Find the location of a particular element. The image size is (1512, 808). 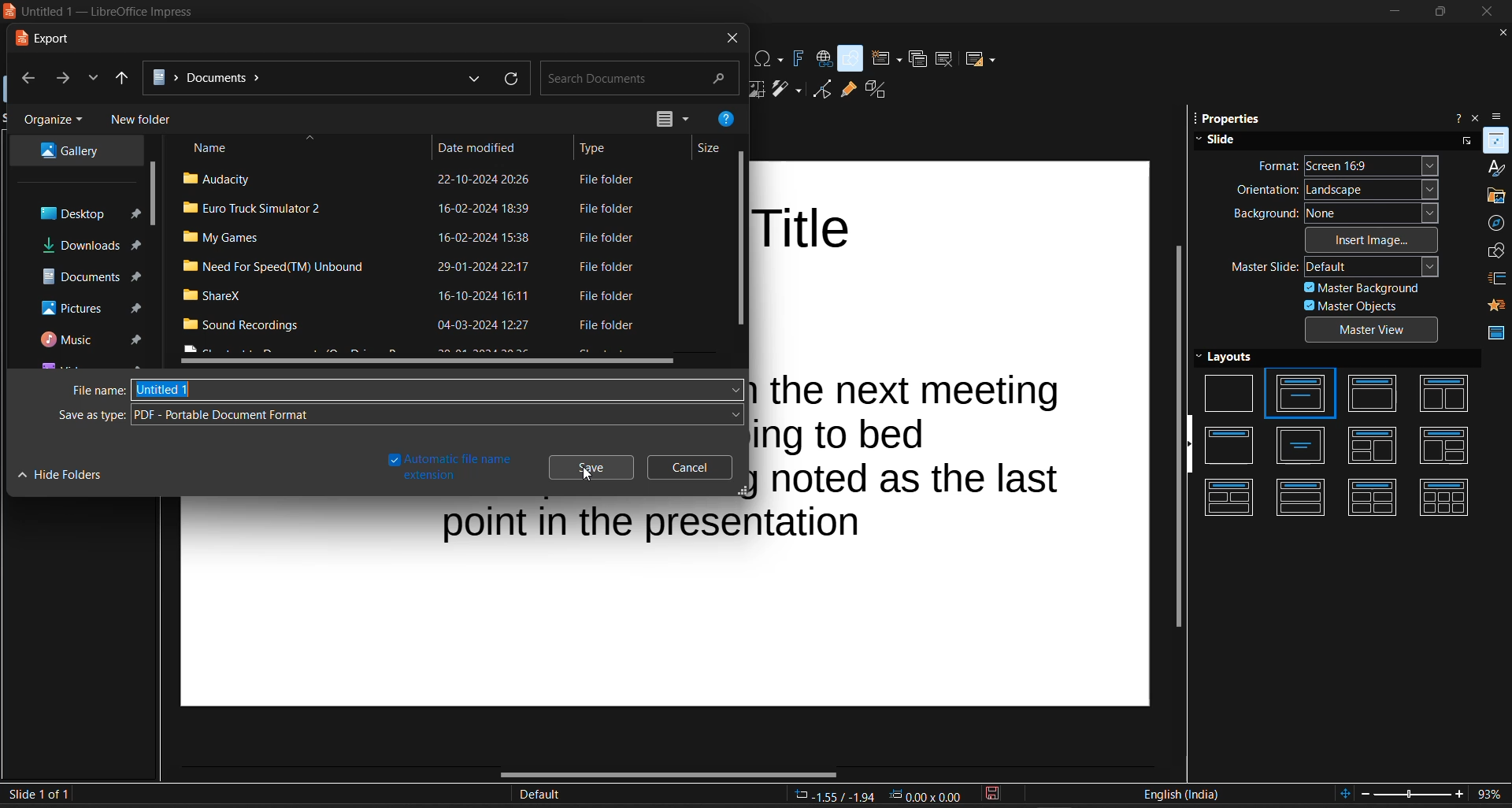

show gluepoint functions is located at coordinates (847, 91).